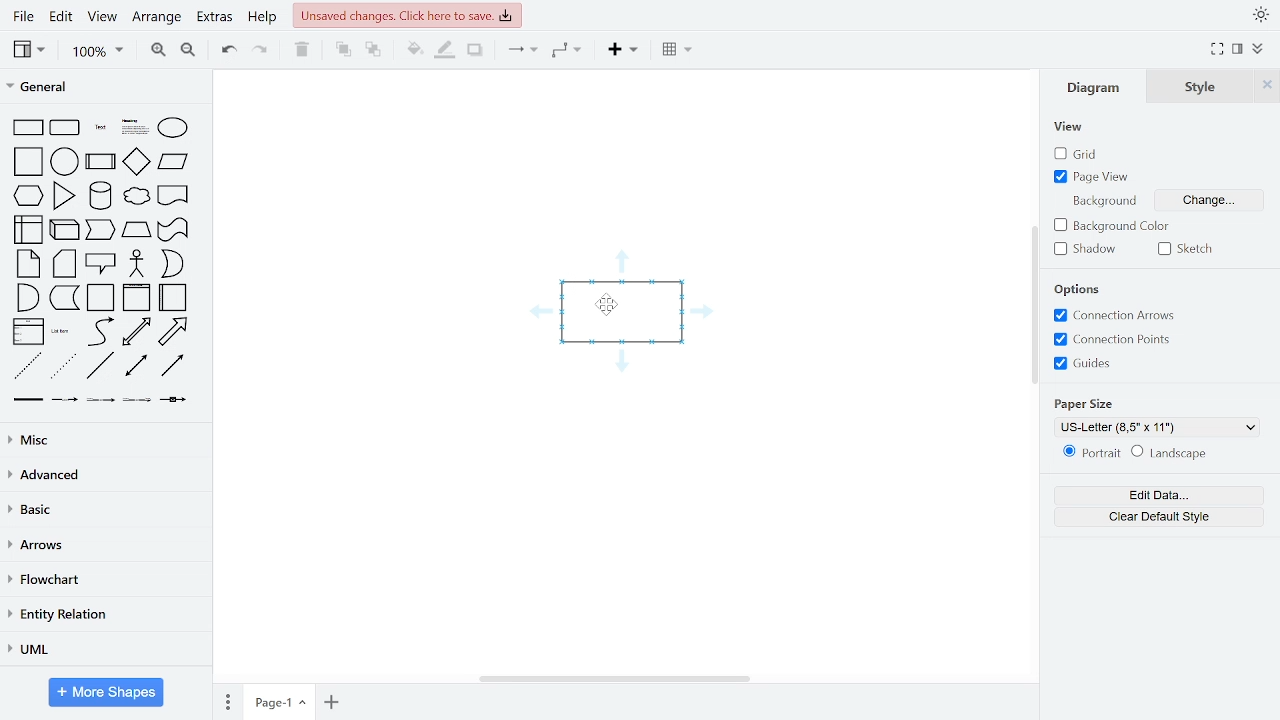 The image size is (1280, 720). What do you see at coordinates (1090, 454) in the screenshot?
I see `portrait` at bounding box center [1090, 454].